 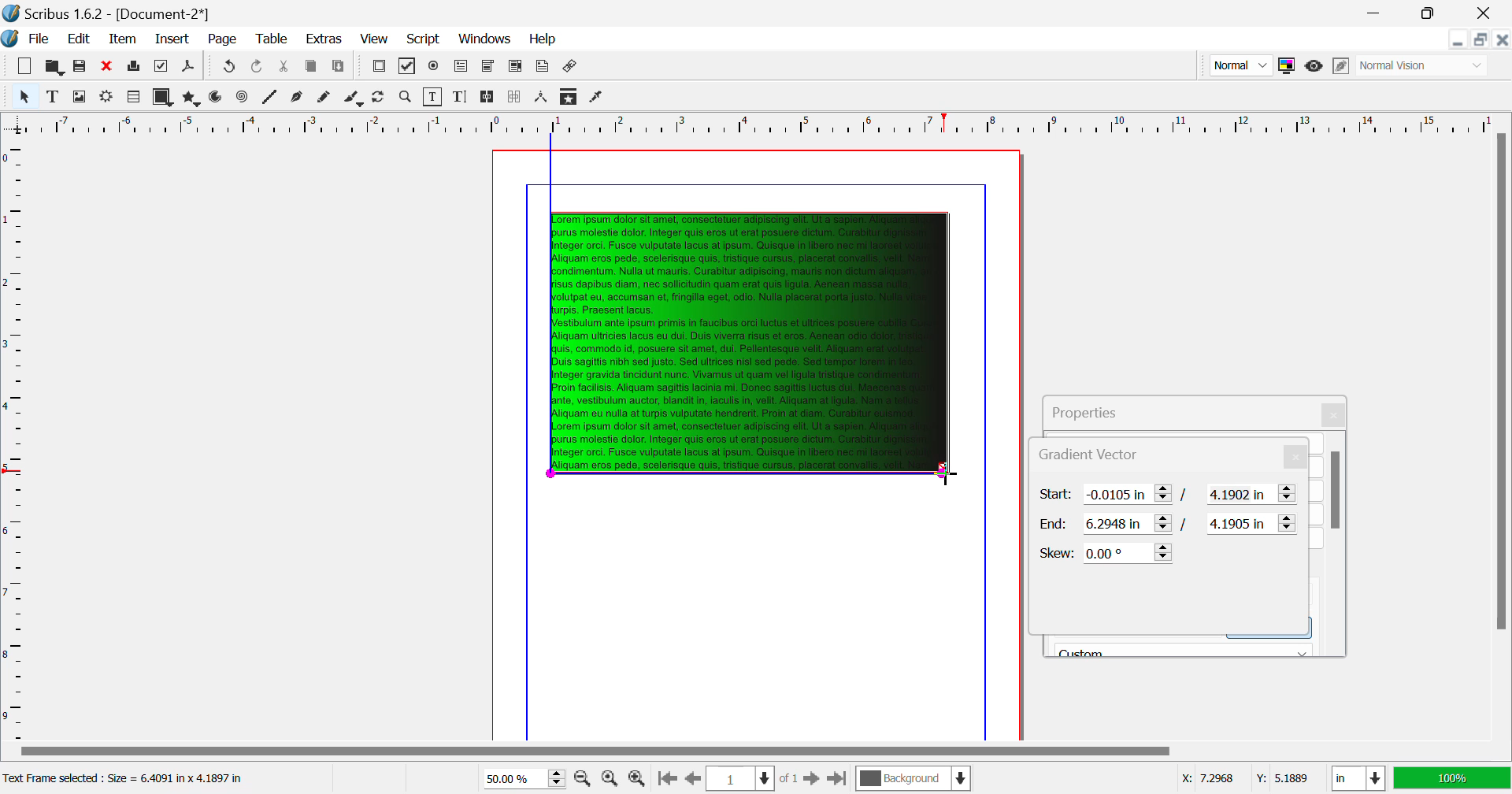 What do you see at coordinates (273, 40) in the screenshot?
I see `Table` at bounding box center [273, 40].